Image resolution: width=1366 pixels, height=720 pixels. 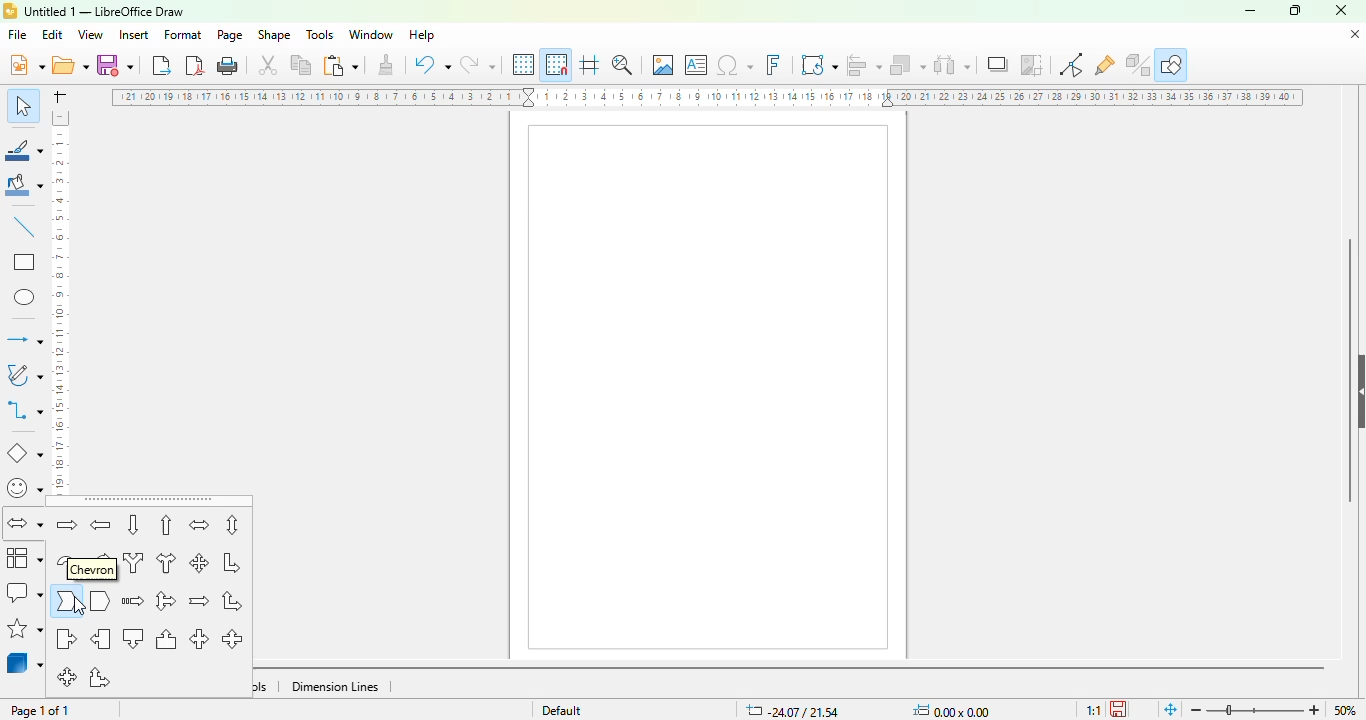 I want to click on edit, so click(x=52, y=35).